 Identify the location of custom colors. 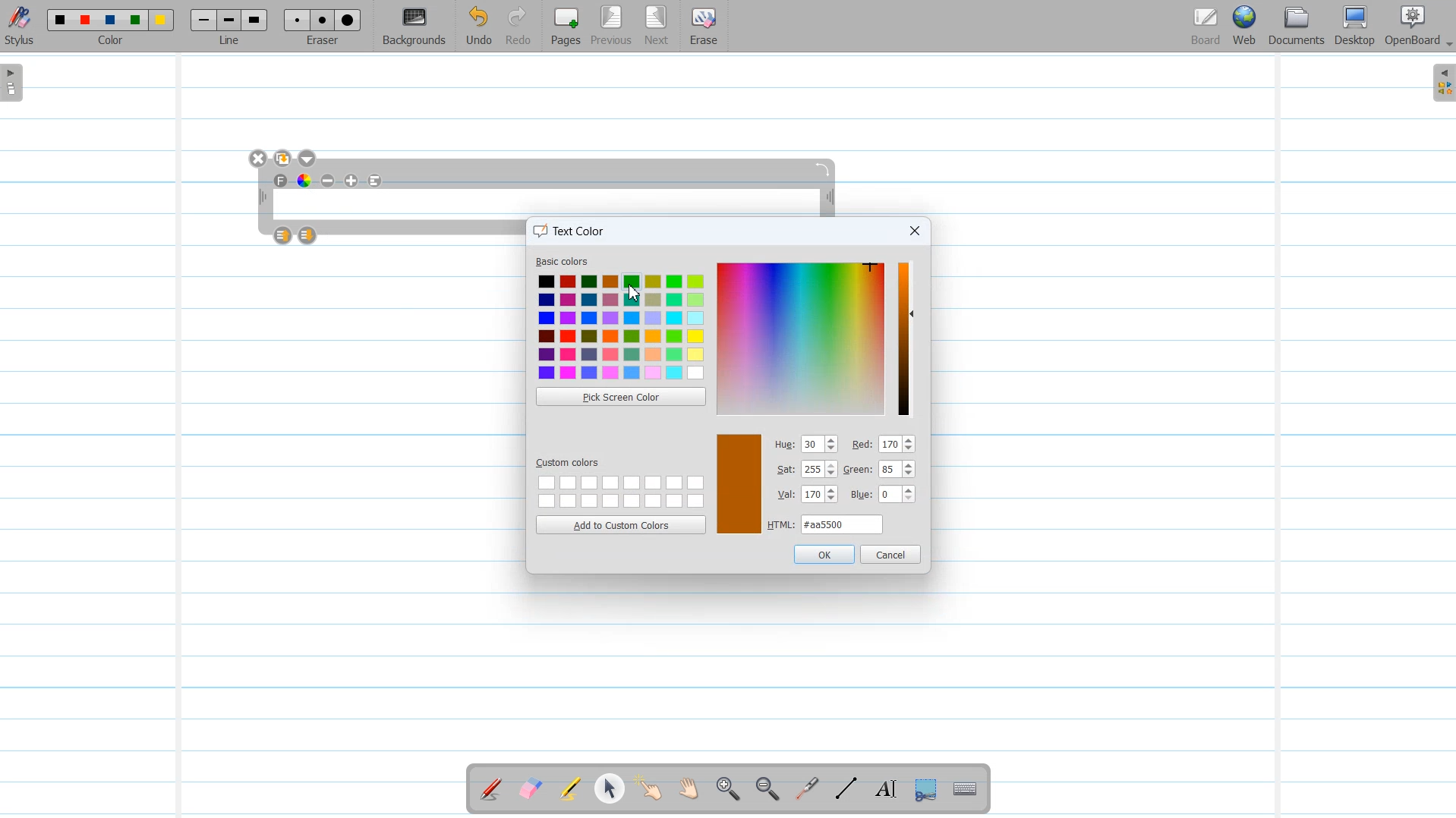
(571, 461).